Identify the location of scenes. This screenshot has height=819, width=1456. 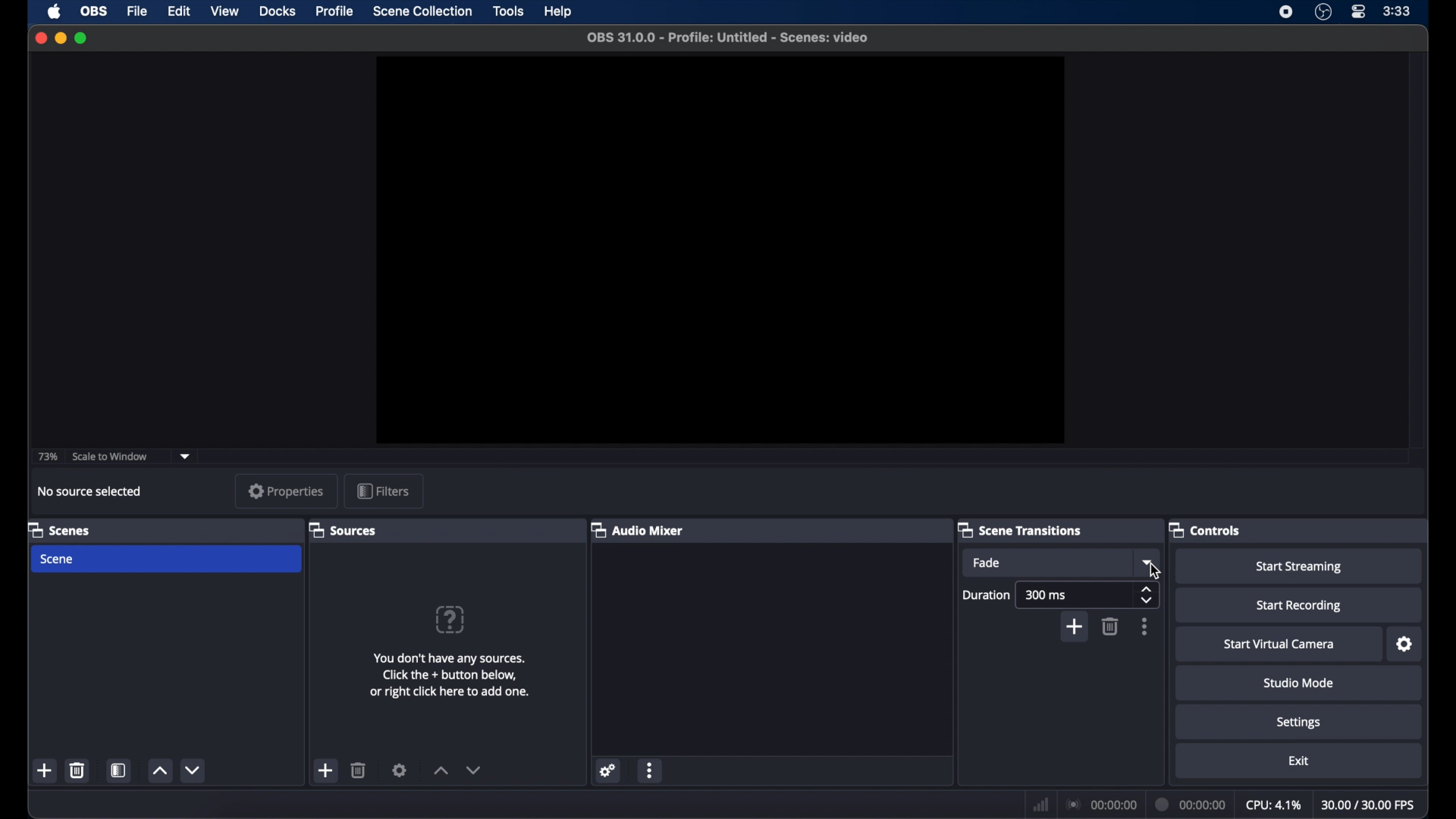
(58, 529).